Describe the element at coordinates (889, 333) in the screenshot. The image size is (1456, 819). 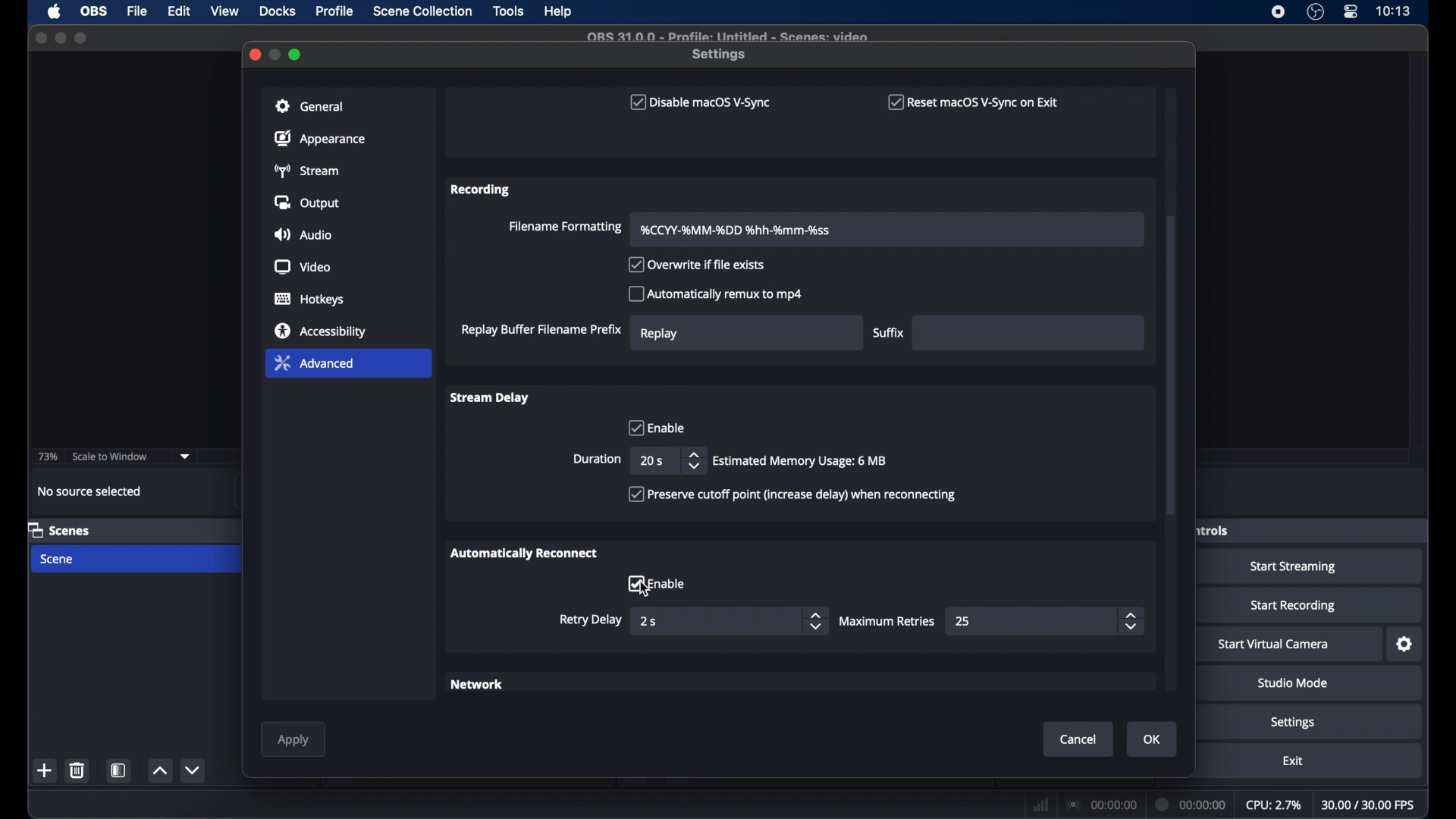
I see `suffix` at that location.